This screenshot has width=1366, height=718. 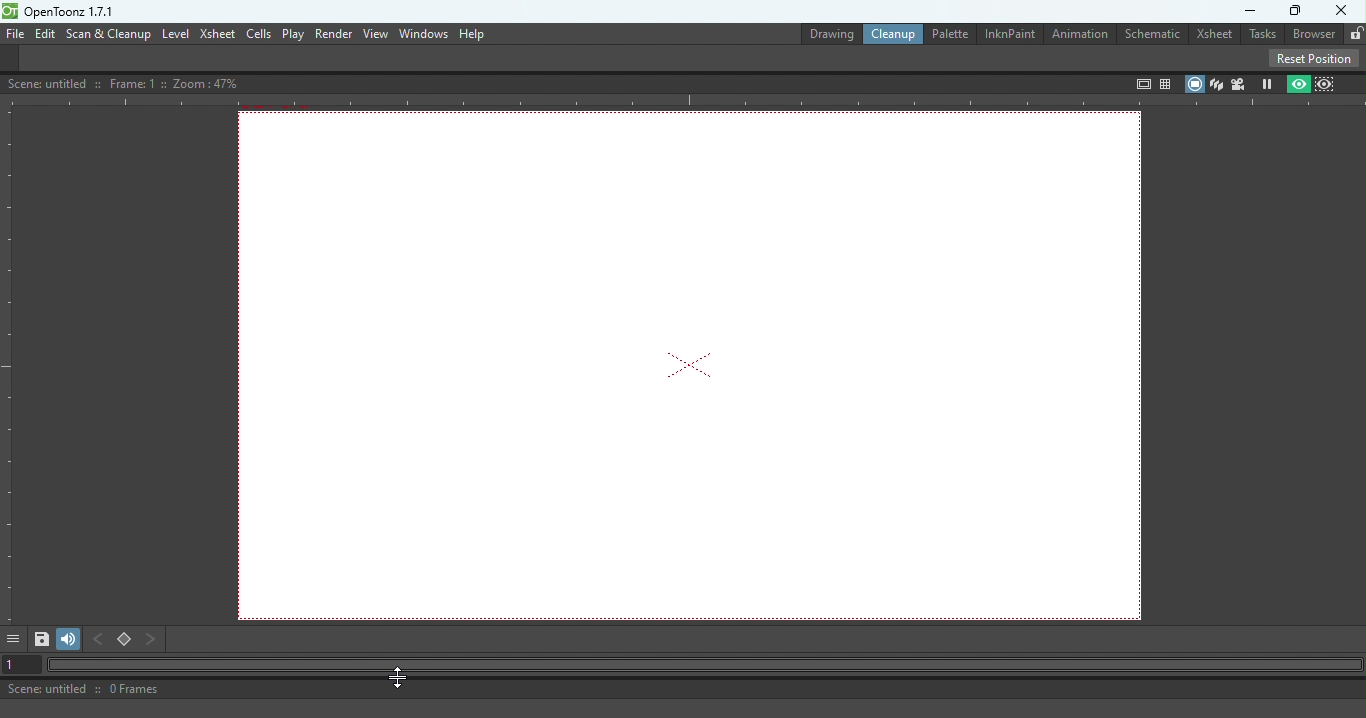 I want to click on Drawing, so click(x=820, y=32).